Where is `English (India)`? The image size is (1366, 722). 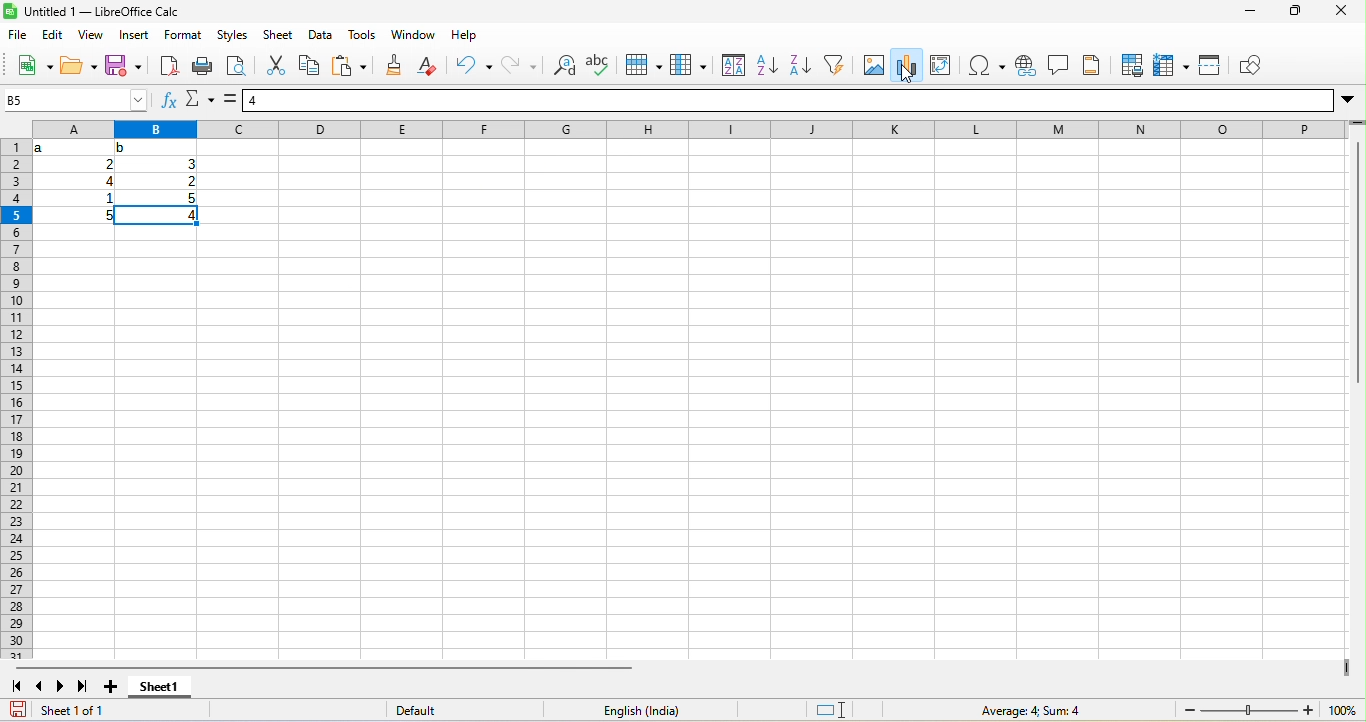
English (India) is located at coordinates (640, 710).